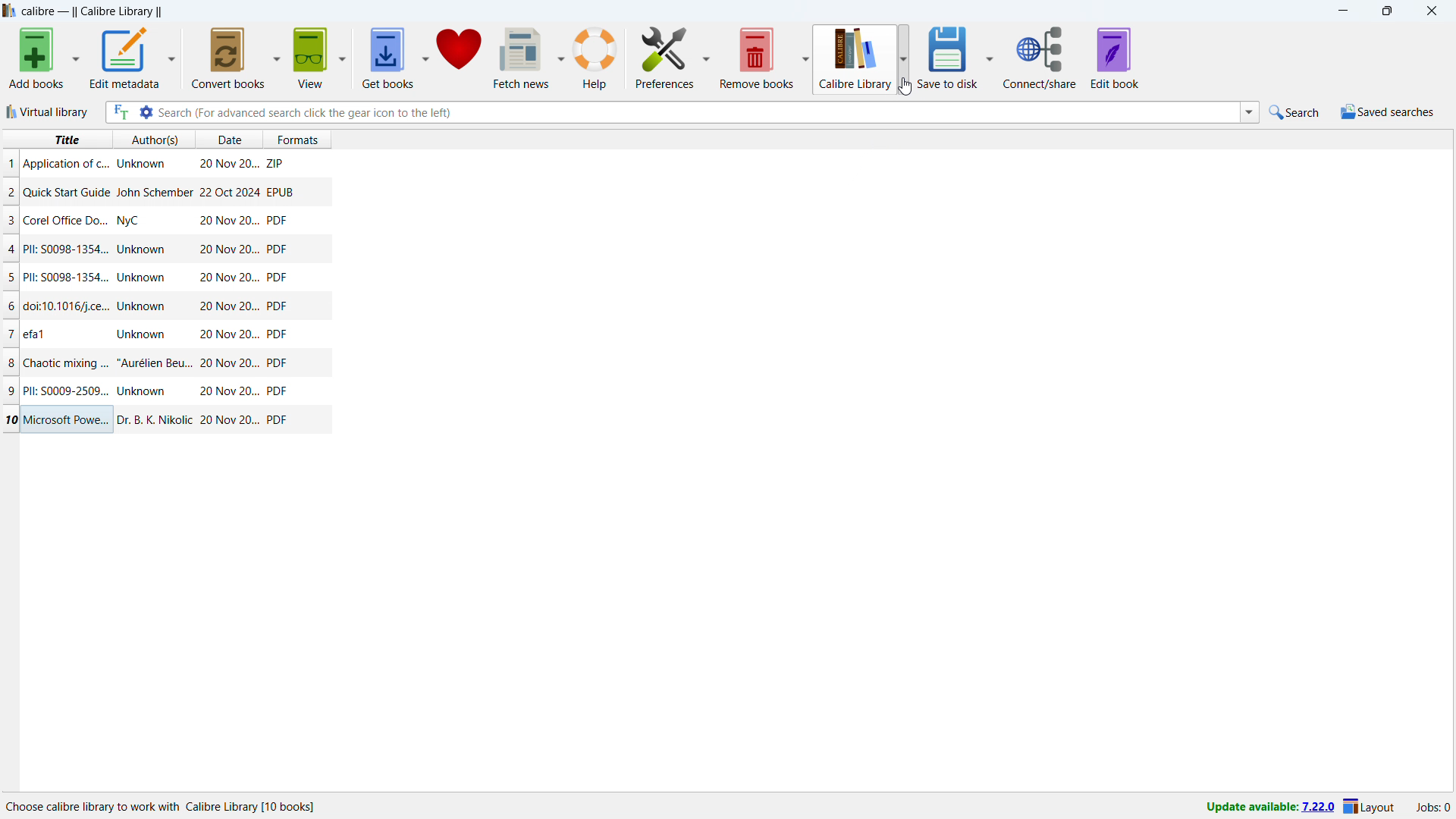 This screenshot has height=819, width=1456. What do you see at coordinates (563, 57) in the screenshot?
I see `fetch news options` at bounding box center [563, 57].